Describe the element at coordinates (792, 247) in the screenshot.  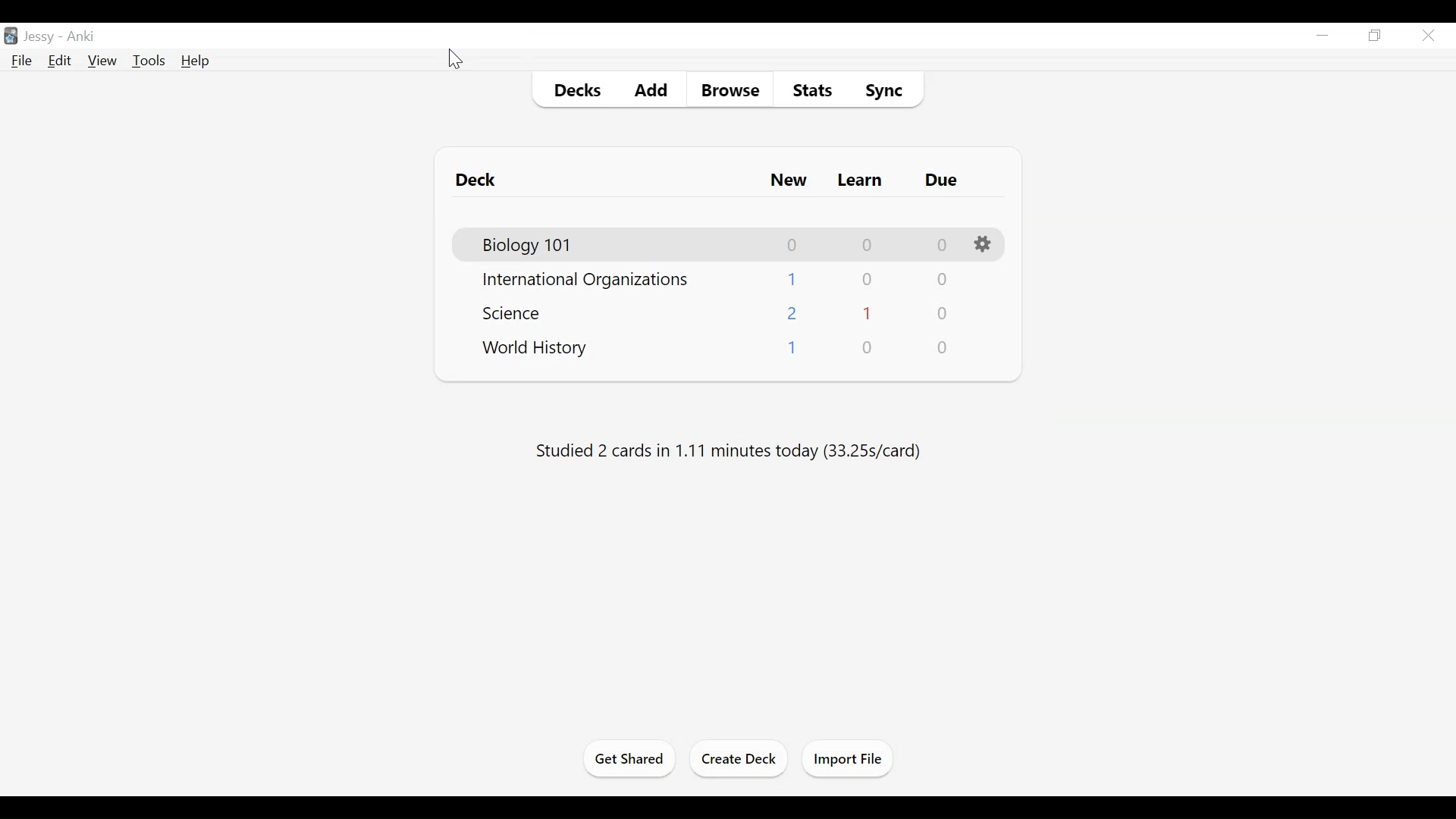
I see `New Card Count` at that location.